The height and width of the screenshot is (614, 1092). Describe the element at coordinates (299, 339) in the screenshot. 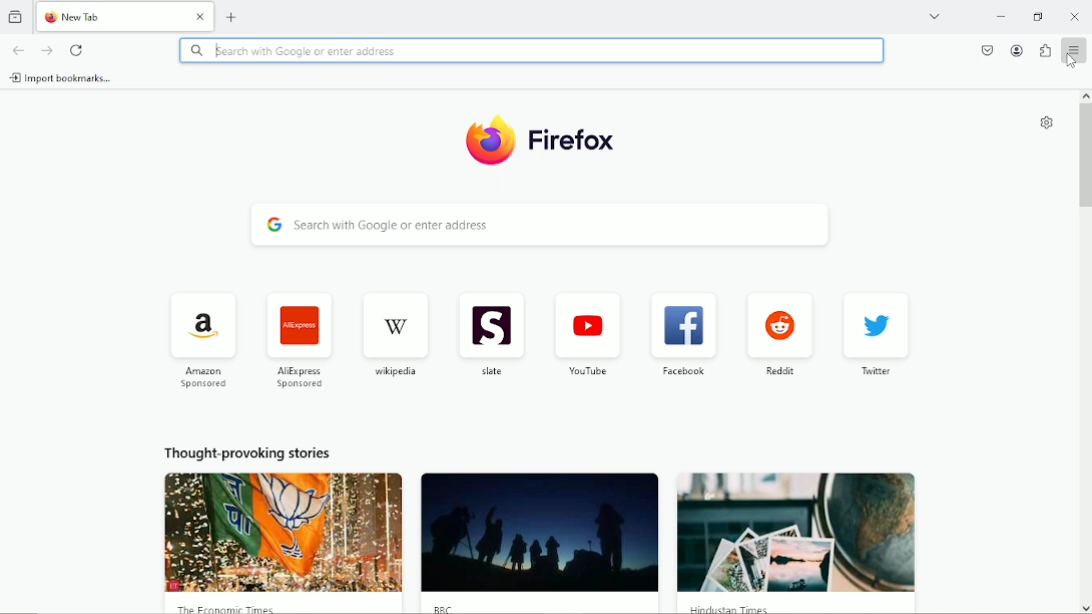

I see `AliExpress` at that location.